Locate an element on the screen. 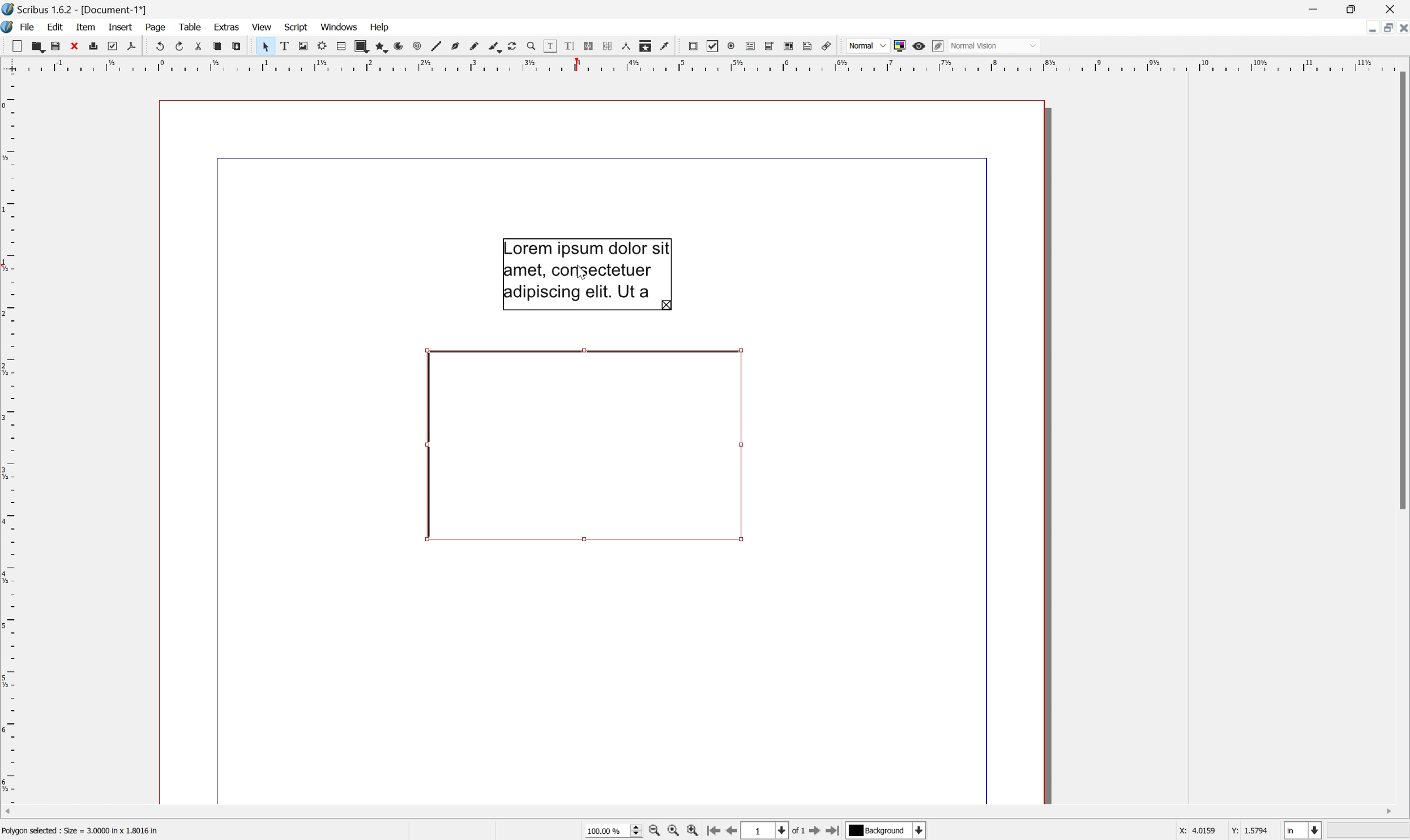  Table is located at coordinates (191, 28).